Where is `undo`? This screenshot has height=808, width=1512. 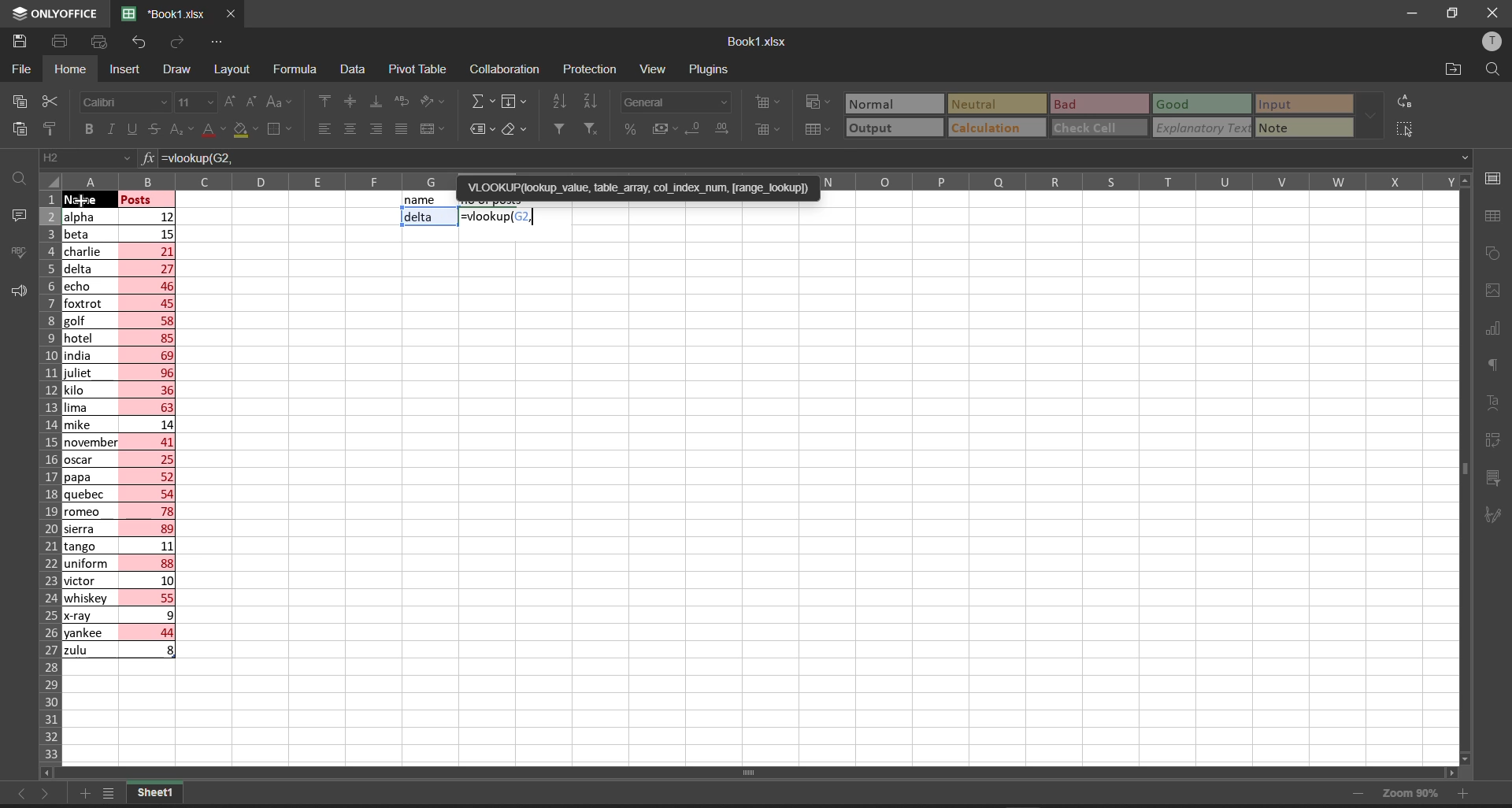
undo is located at coordinates (138, 45).